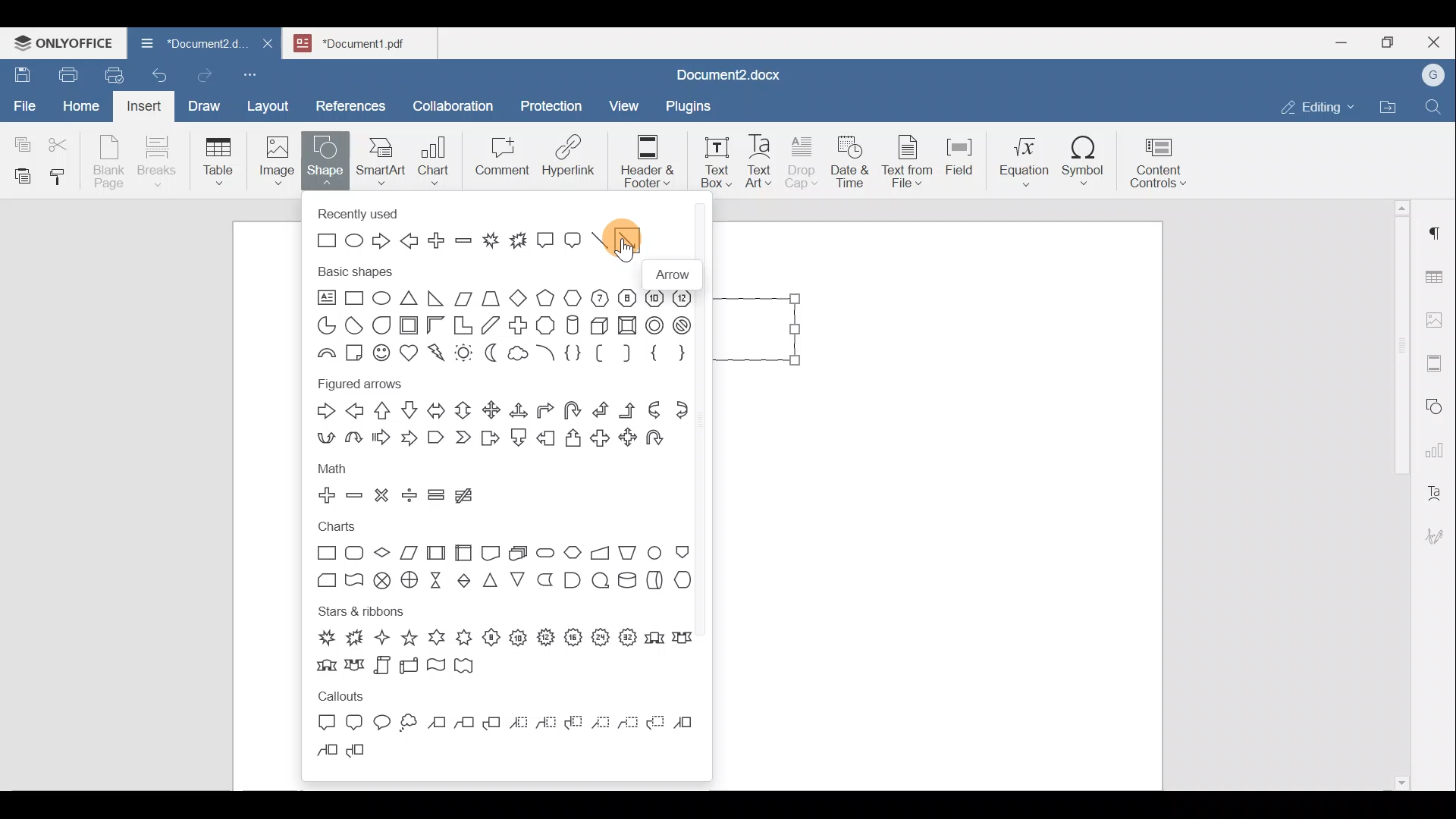  I want to click on Save, so click(21, 71).